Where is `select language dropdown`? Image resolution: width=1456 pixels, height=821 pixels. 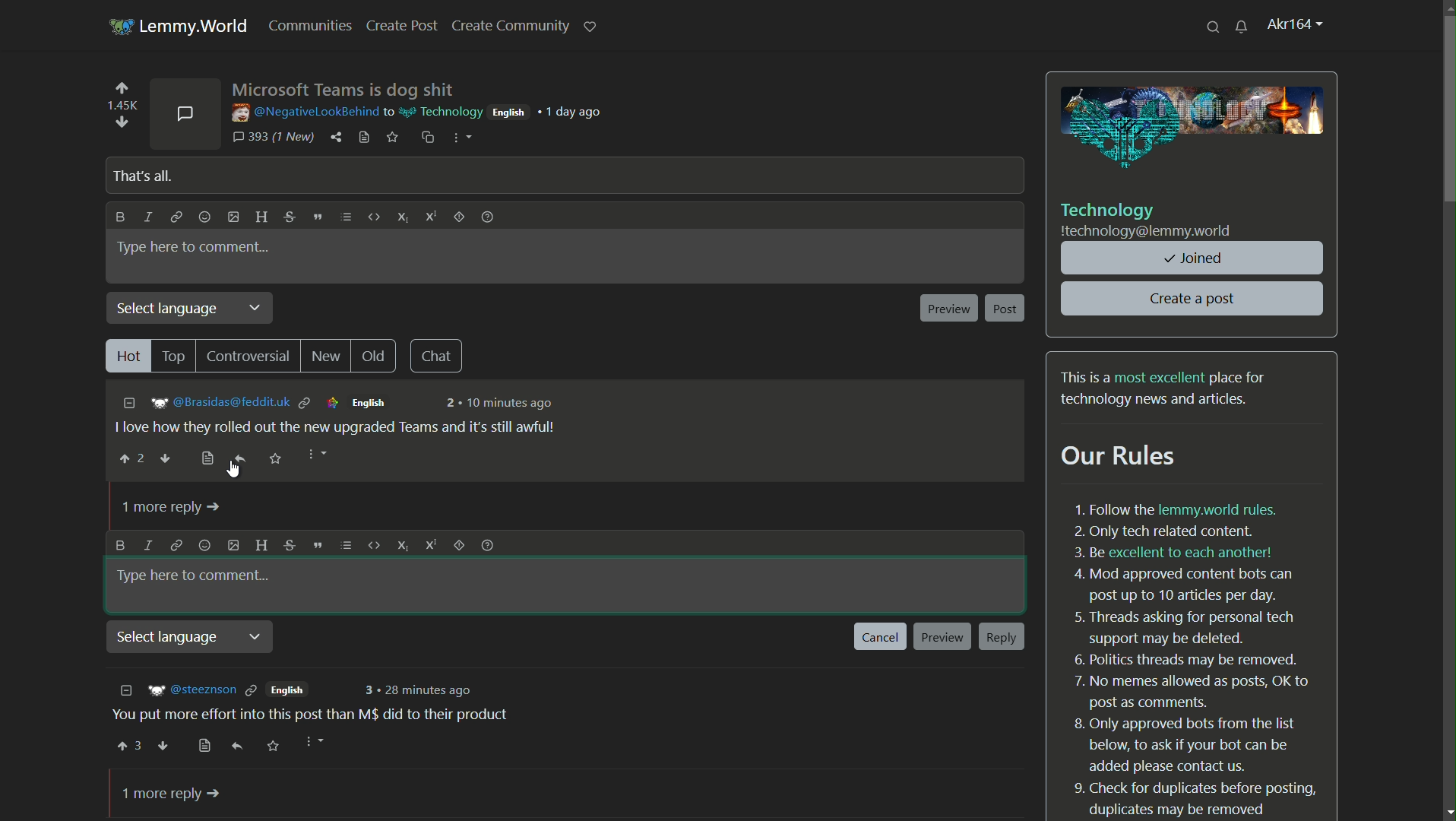
select language dropdown is located at coordinates (192, 309).